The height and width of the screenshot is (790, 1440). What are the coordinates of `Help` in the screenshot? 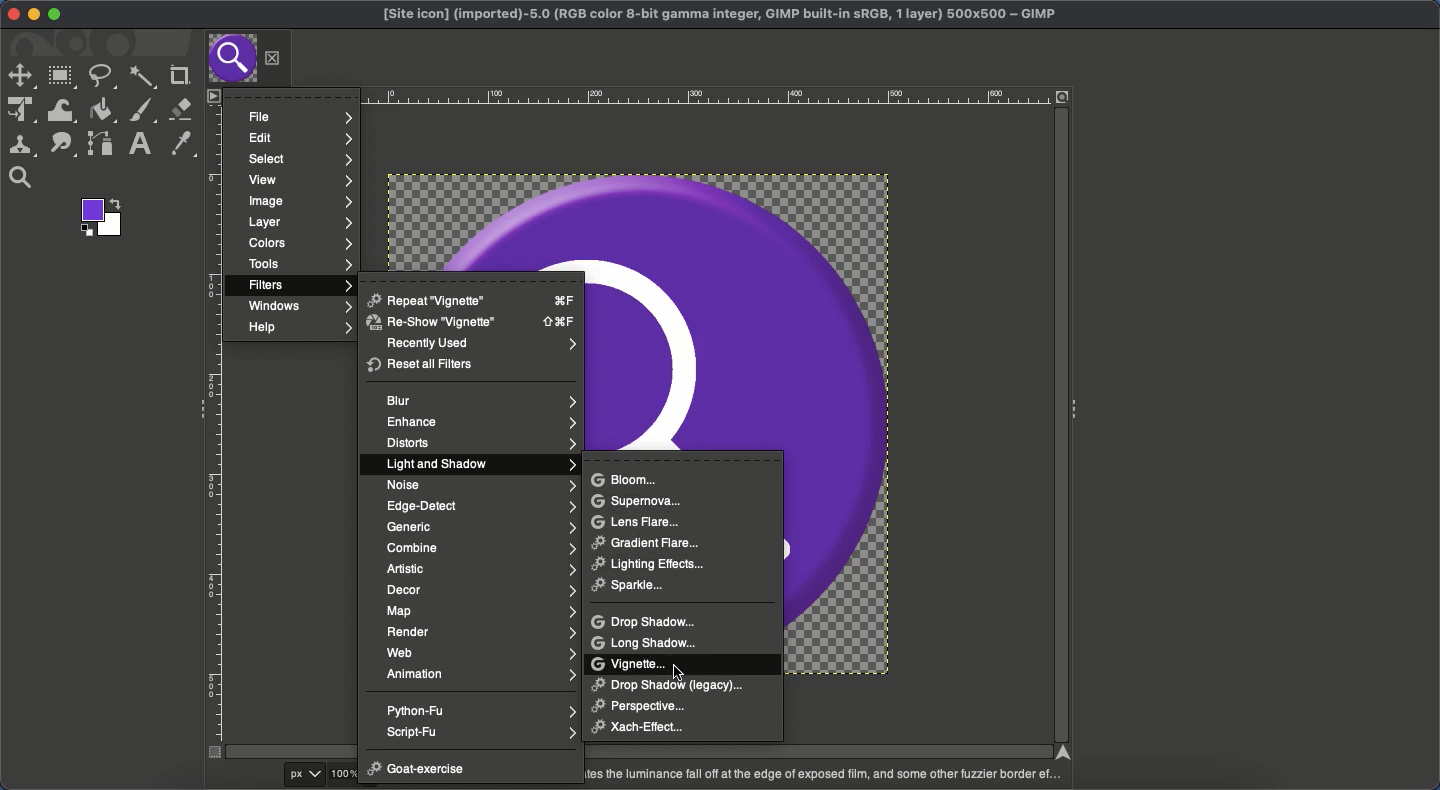 It's located at (298, 329).